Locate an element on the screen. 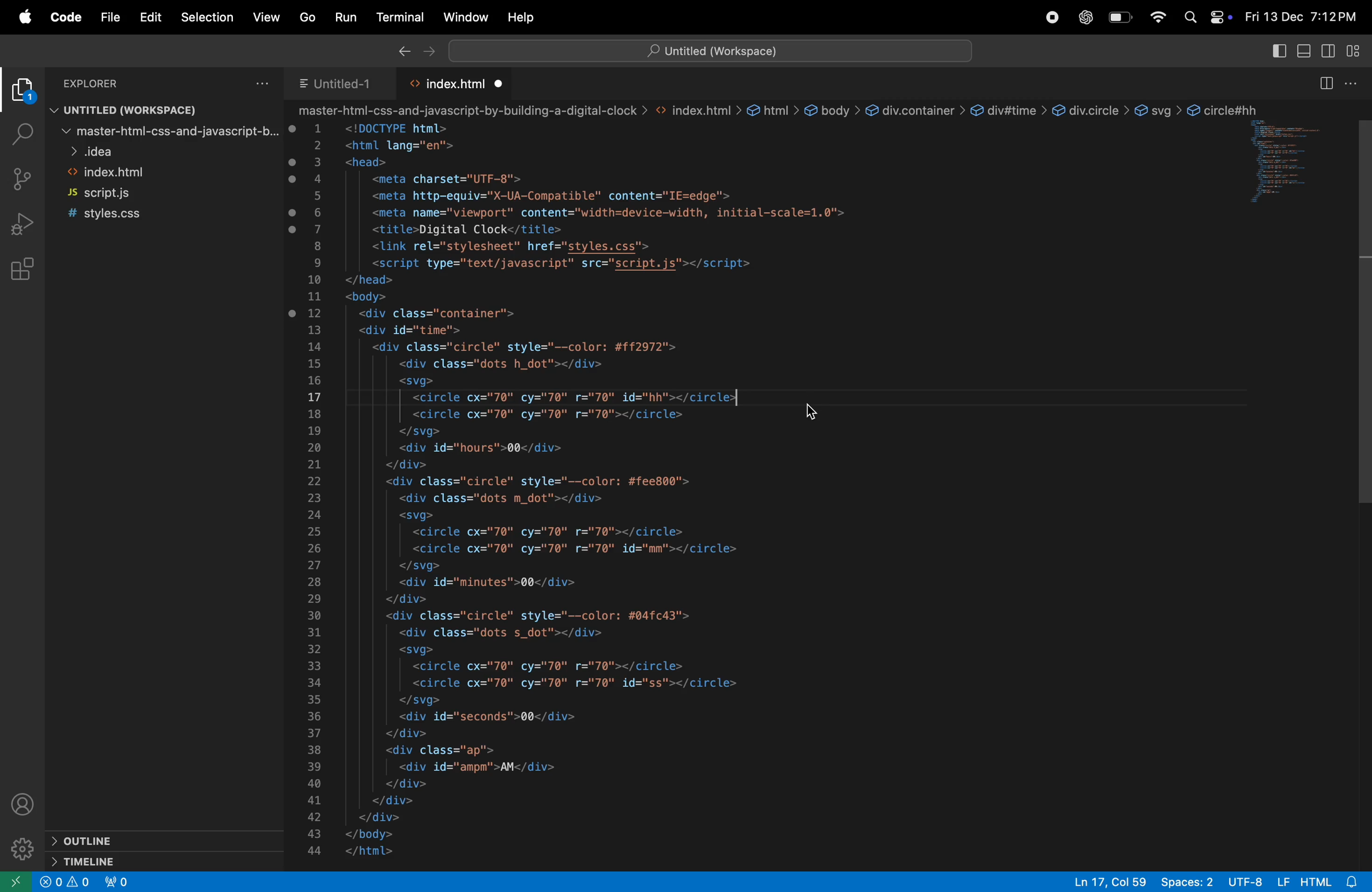 Image resolution: width=1372 pixels, height=892 pixels. file is located at coordinates (110, 18).